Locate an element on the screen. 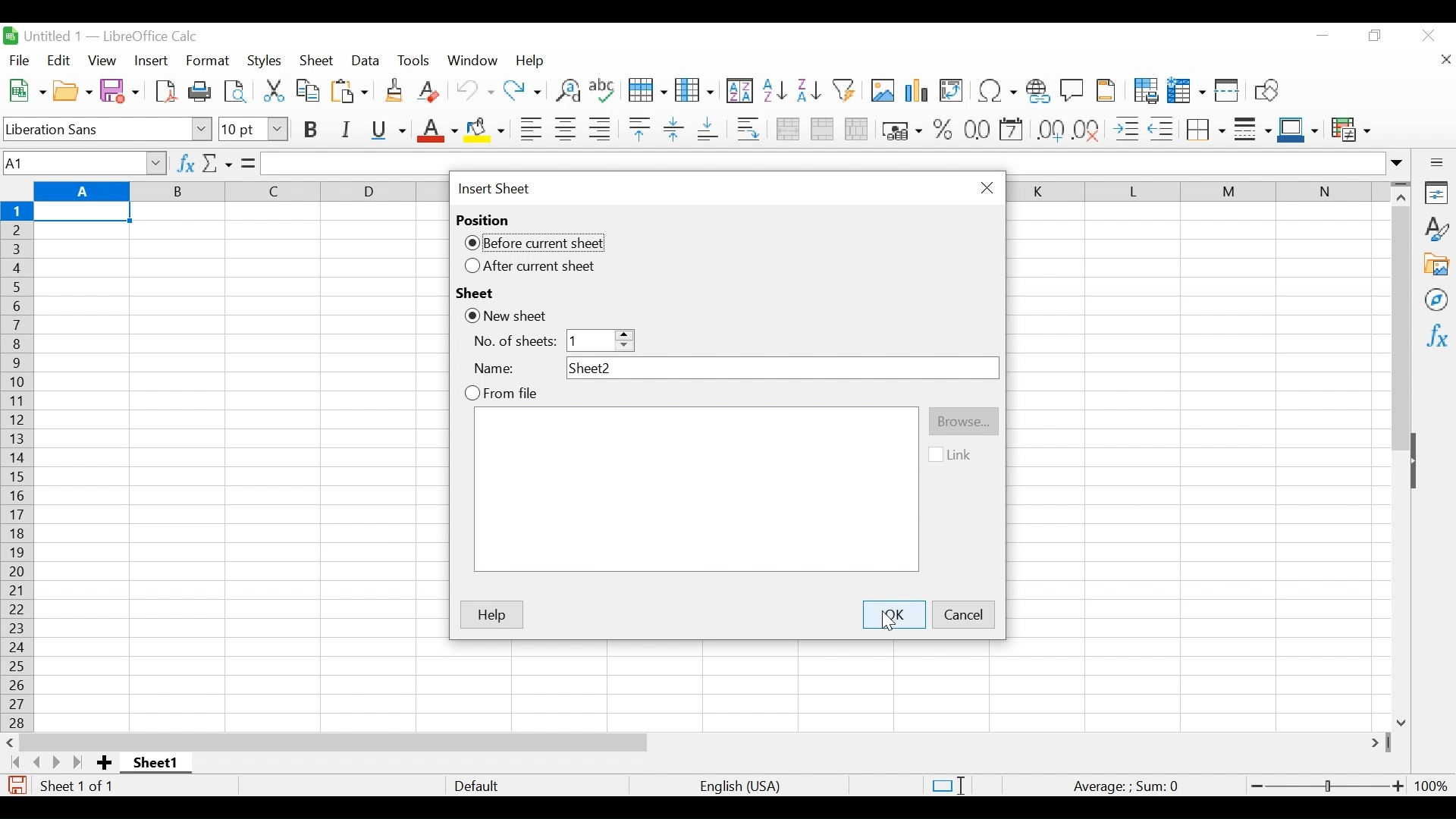 This screenshot has width=1456, height=819. Name Field is located at coordinates (781, 368).